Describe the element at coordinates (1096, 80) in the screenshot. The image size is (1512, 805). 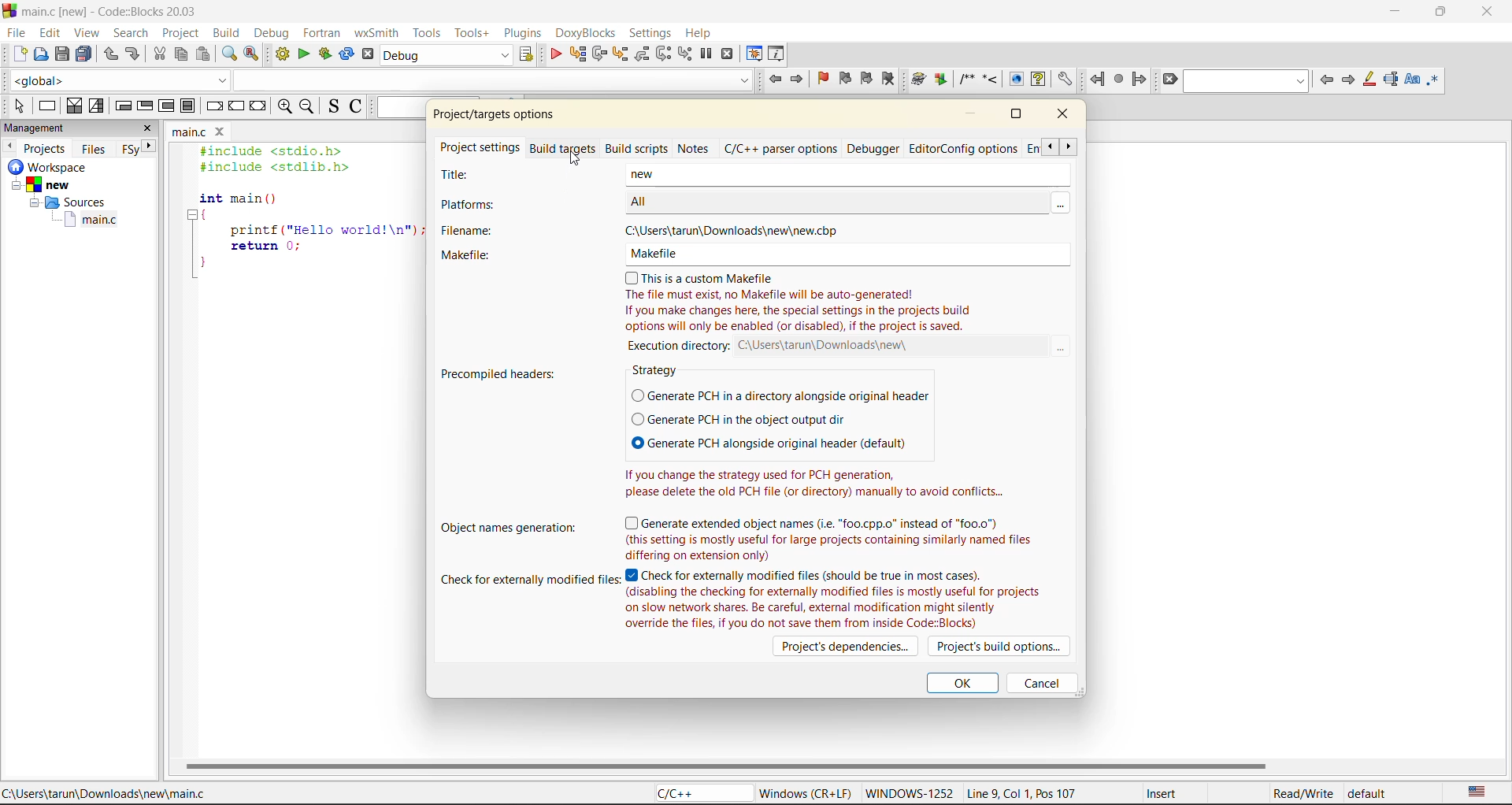
I see `jump back` at that location.